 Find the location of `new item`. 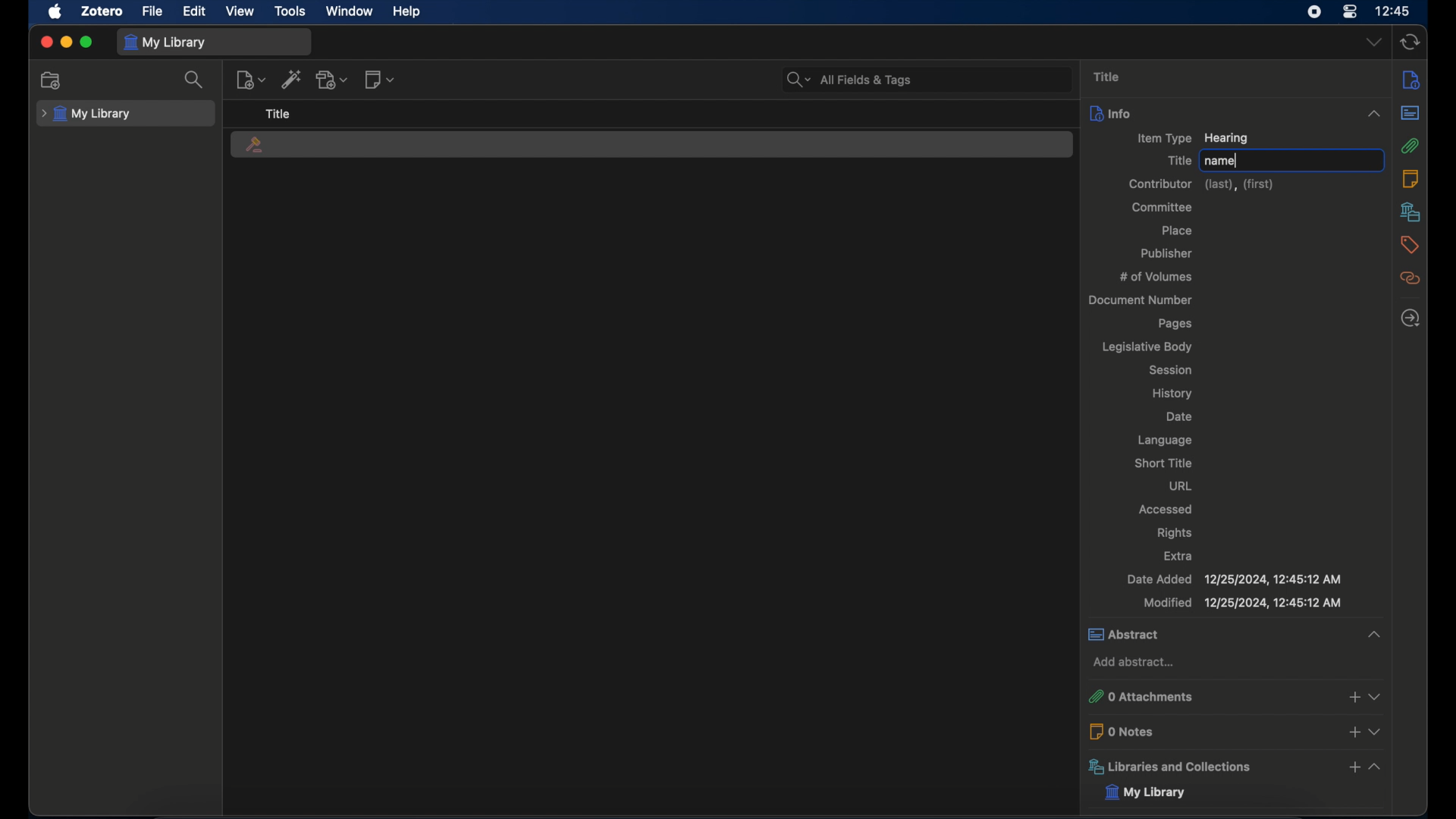

new item is located at coordinates (251, 80).